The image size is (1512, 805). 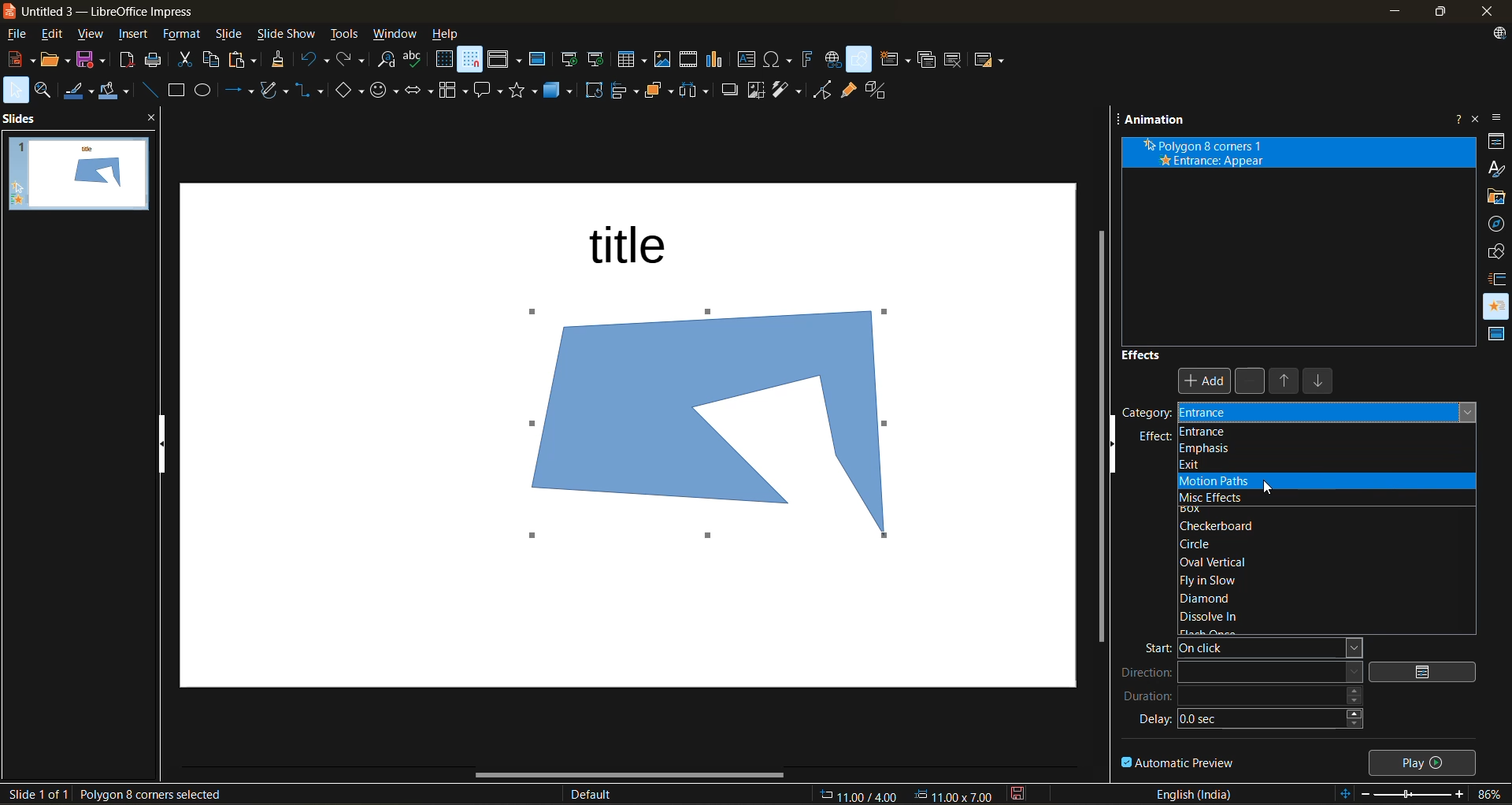 I want to click on new slide, so click(x=893, y=59).